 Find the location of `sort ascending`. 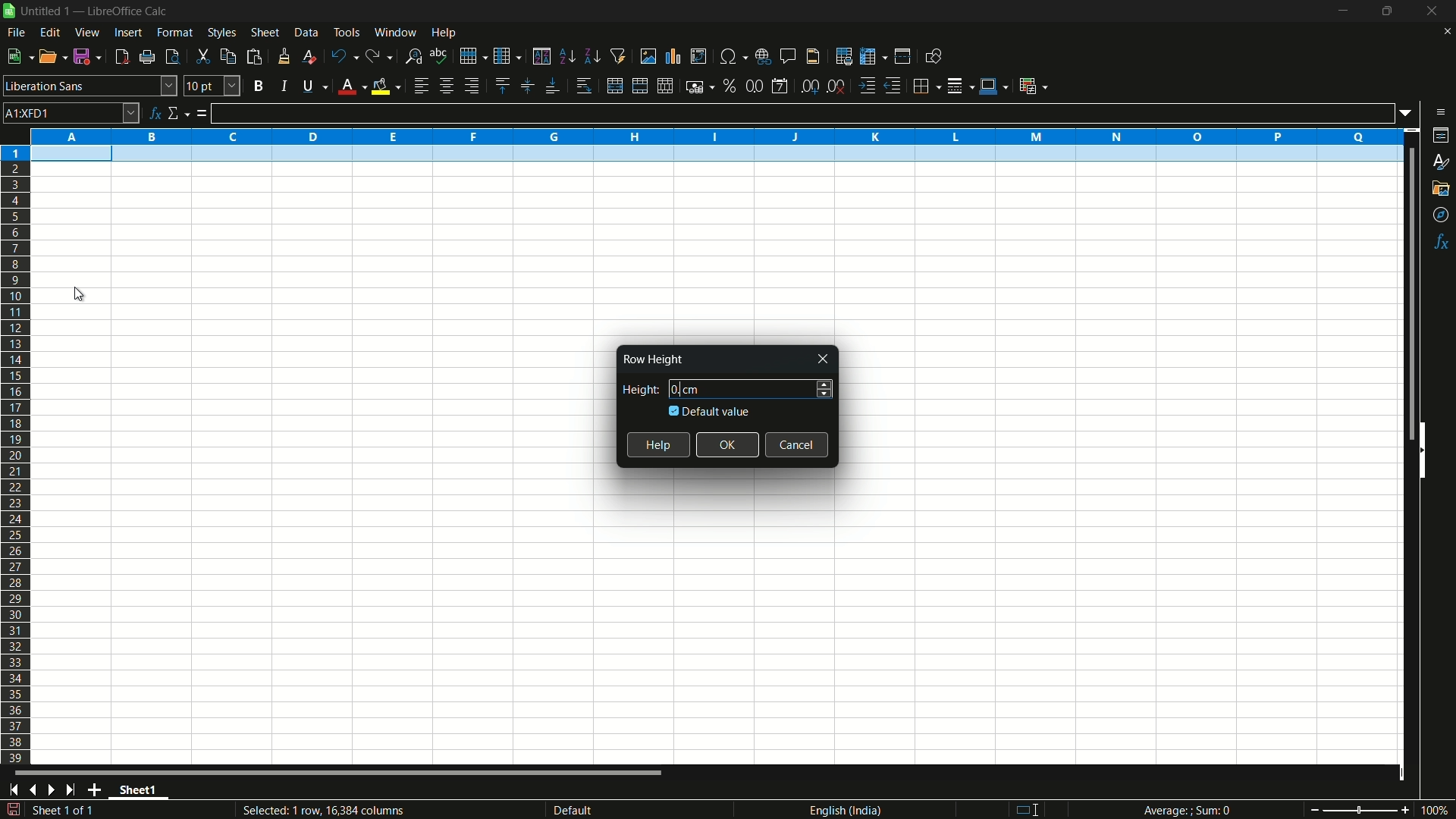

sort ascending is located at coordinates (566, 57).